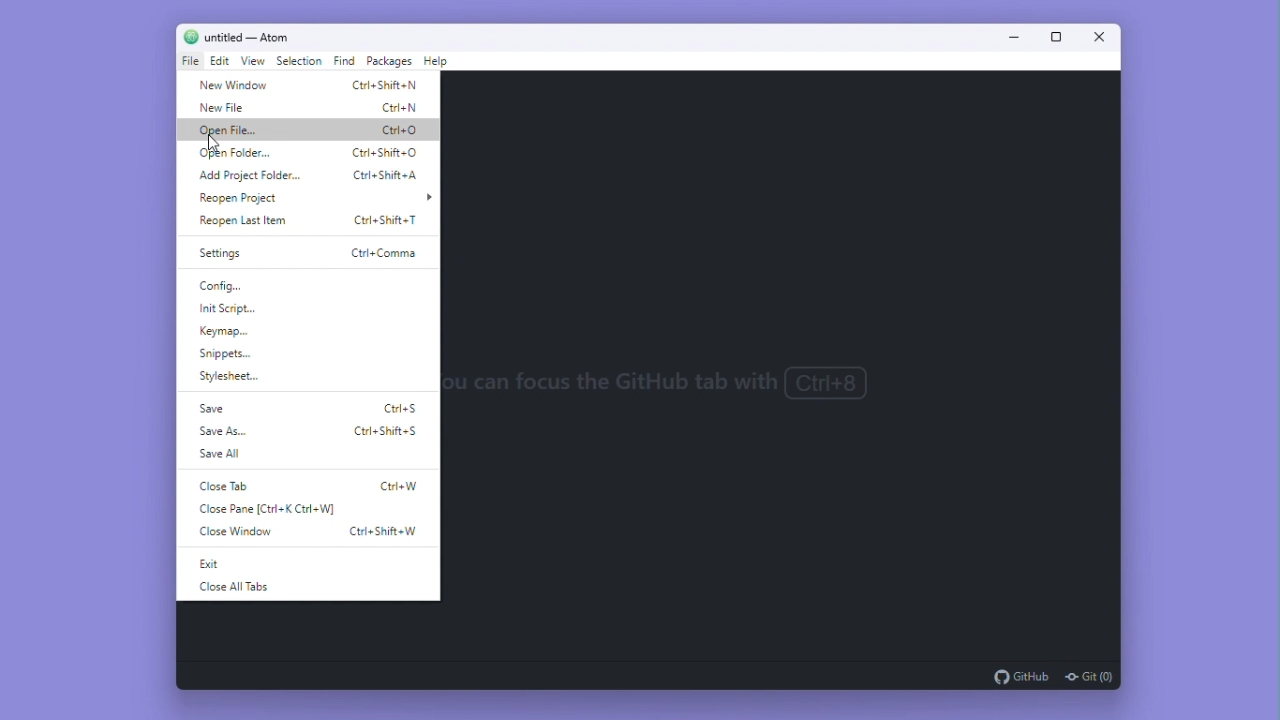 The height and width of the screenshot is (720, 1280). Describe the element at coordinates (230, 331) in the screenshot. I see `keymap...` at that location.